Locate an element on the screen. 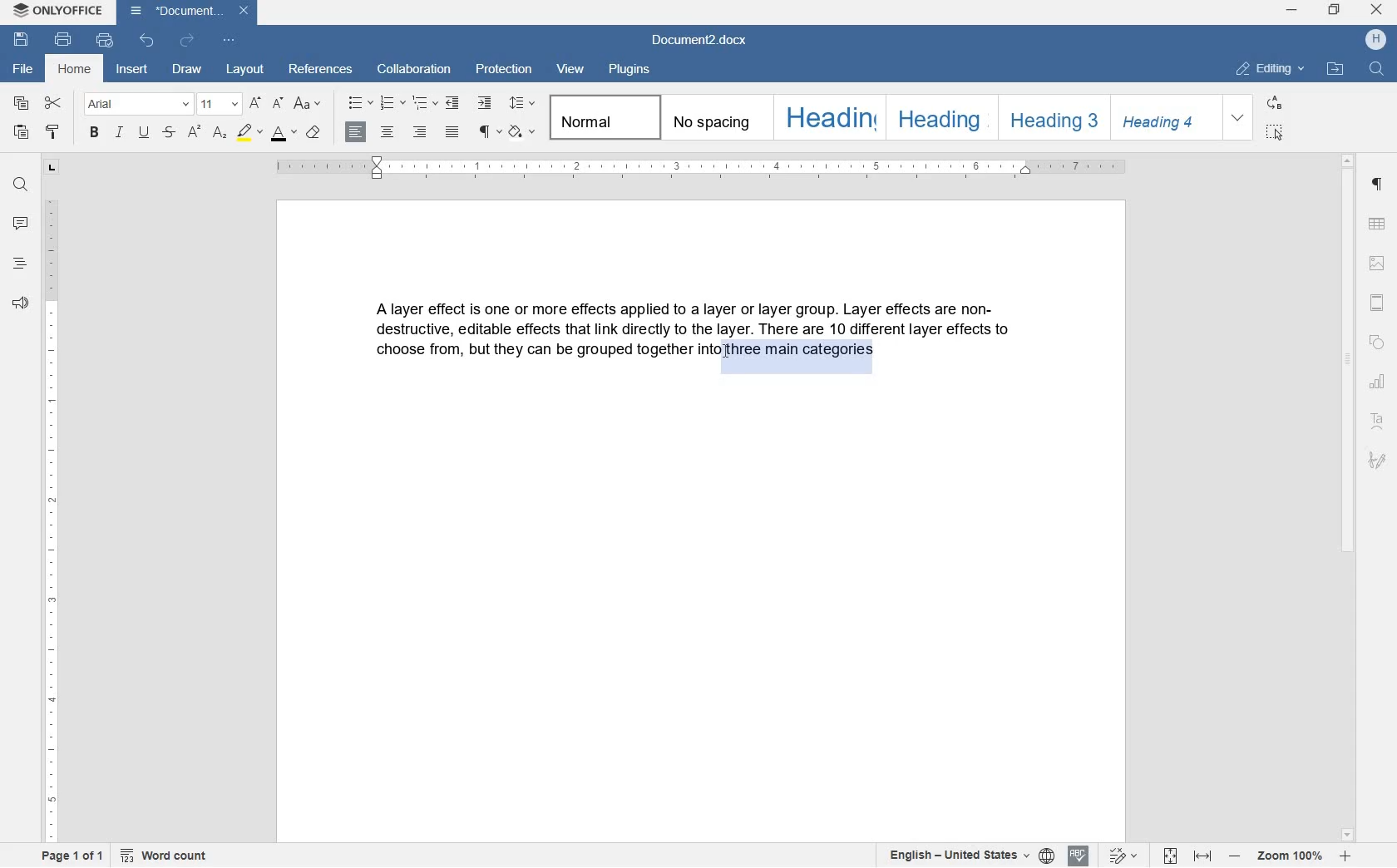 The image size is (1397, 868). feedback and surpport is located at coordinates (19, 303).